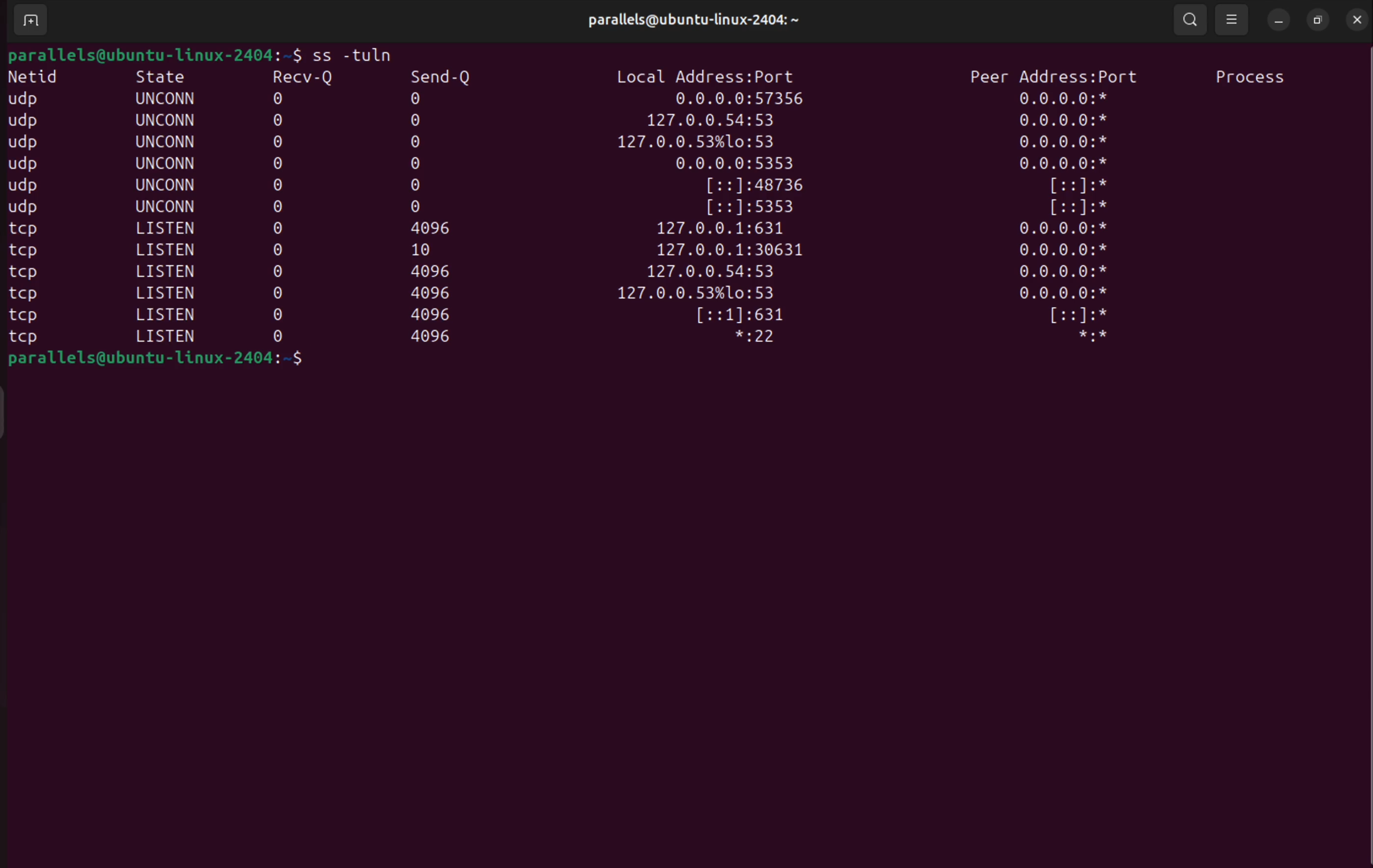 The image size is (1373, 868). What do you see at coordinates (1006, 142) in the screenshot?
I see `0.0.0.0` at bounding box center [1006, 142].